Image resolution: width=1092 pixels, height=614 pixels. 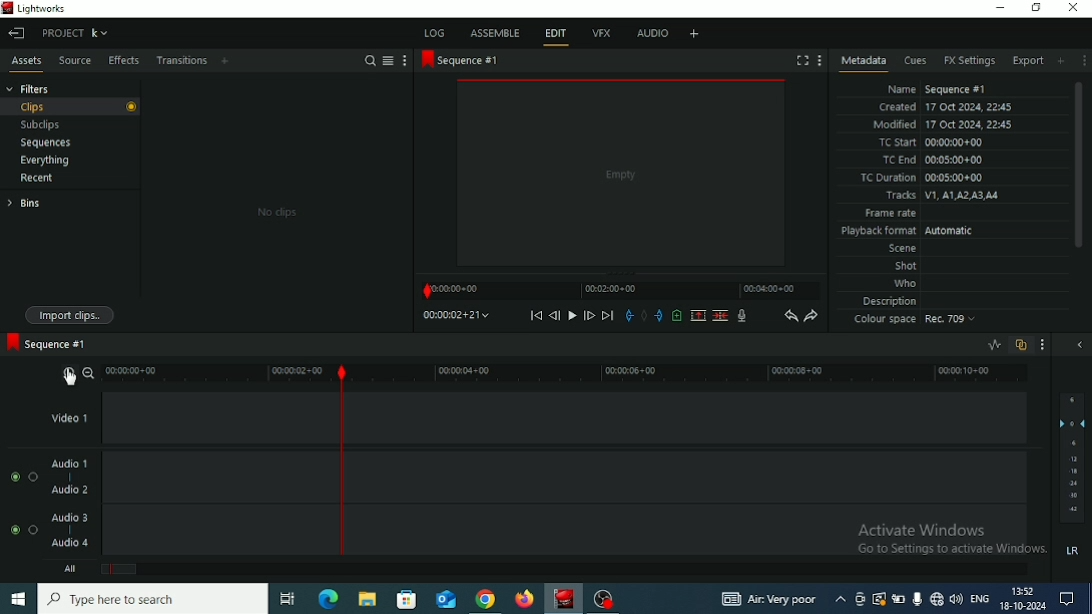 I want to click on EDIT, so click(x=558, y=34).